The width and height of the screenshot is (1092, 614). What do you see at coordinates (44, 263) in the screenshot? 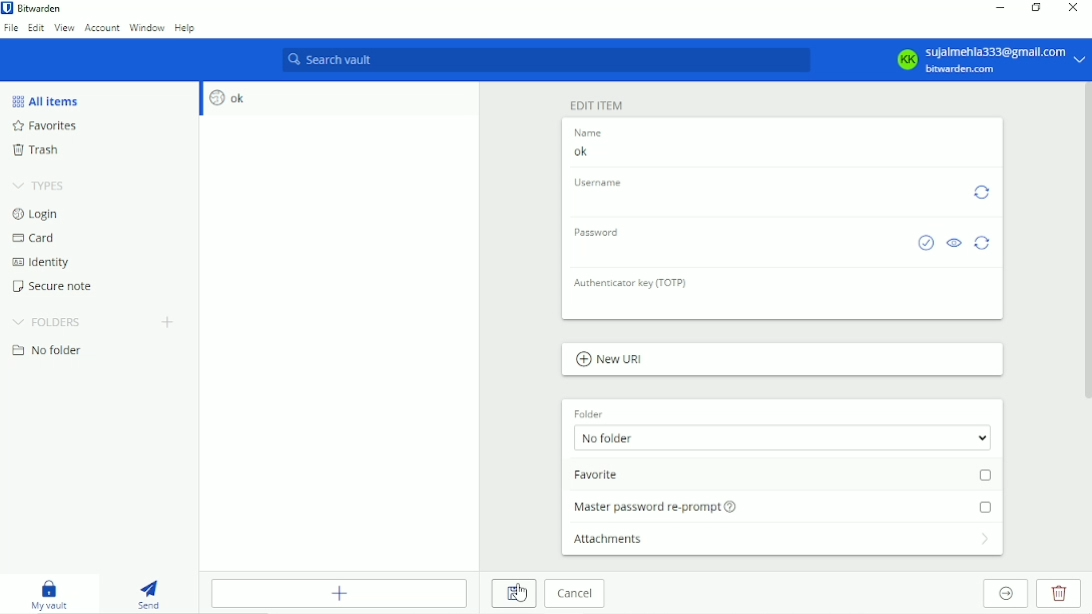
I see `Identify` at bounding box center [44, 263].